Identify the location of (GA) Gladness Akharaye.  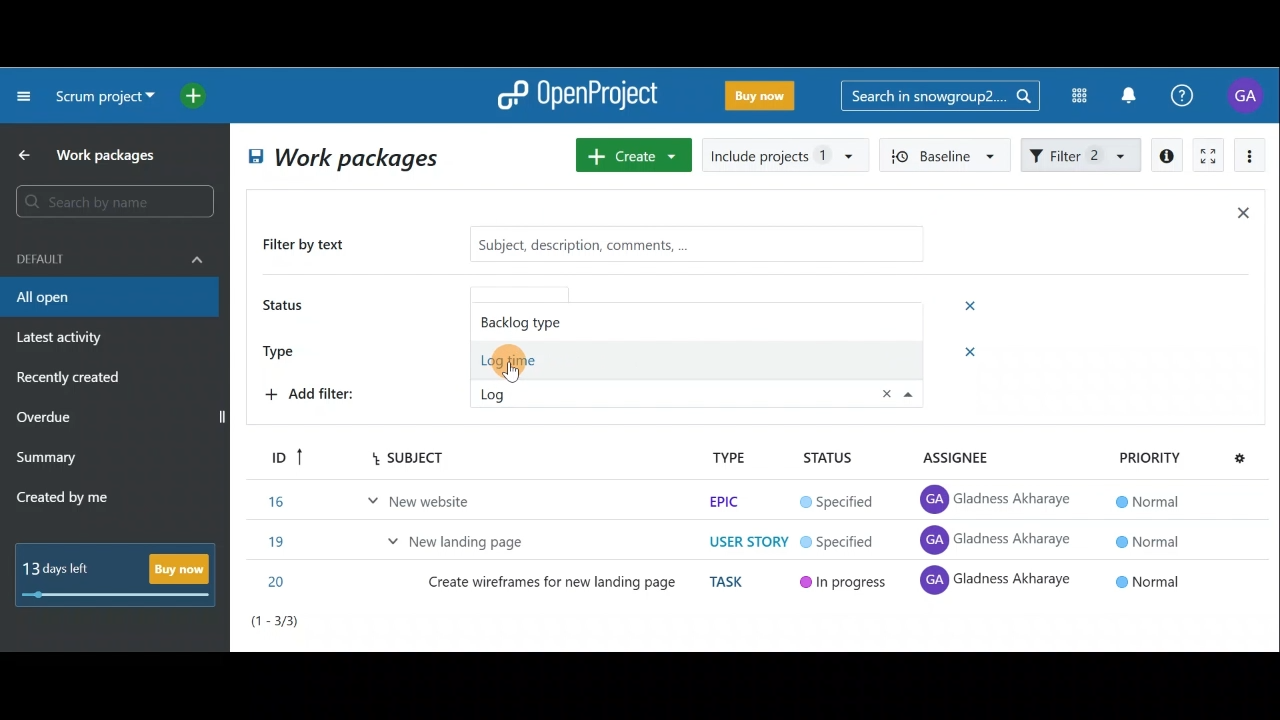
(999, 500).